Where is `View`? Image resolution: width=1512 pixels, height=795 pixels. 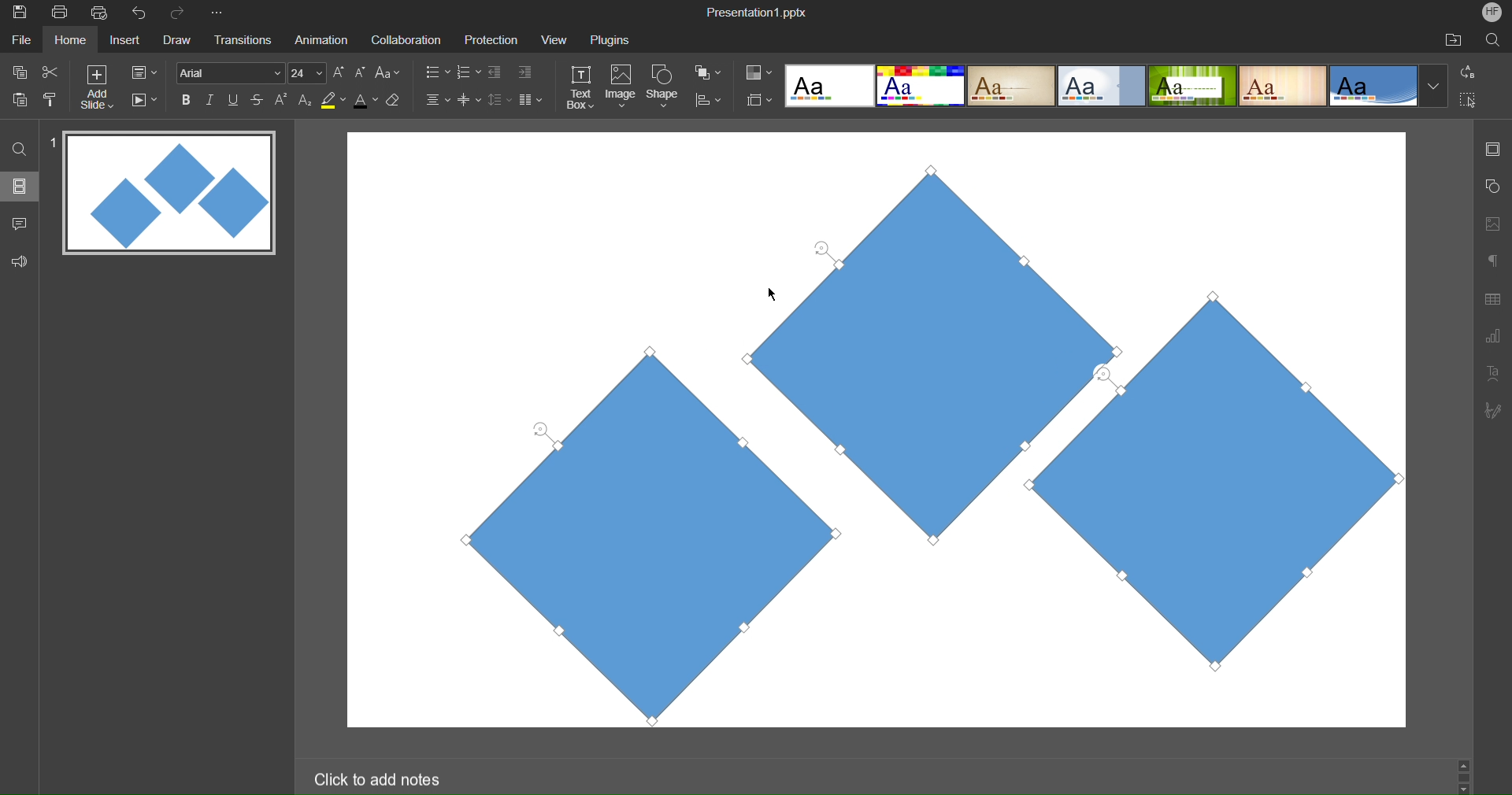
View is located at coordinates (550, 39).